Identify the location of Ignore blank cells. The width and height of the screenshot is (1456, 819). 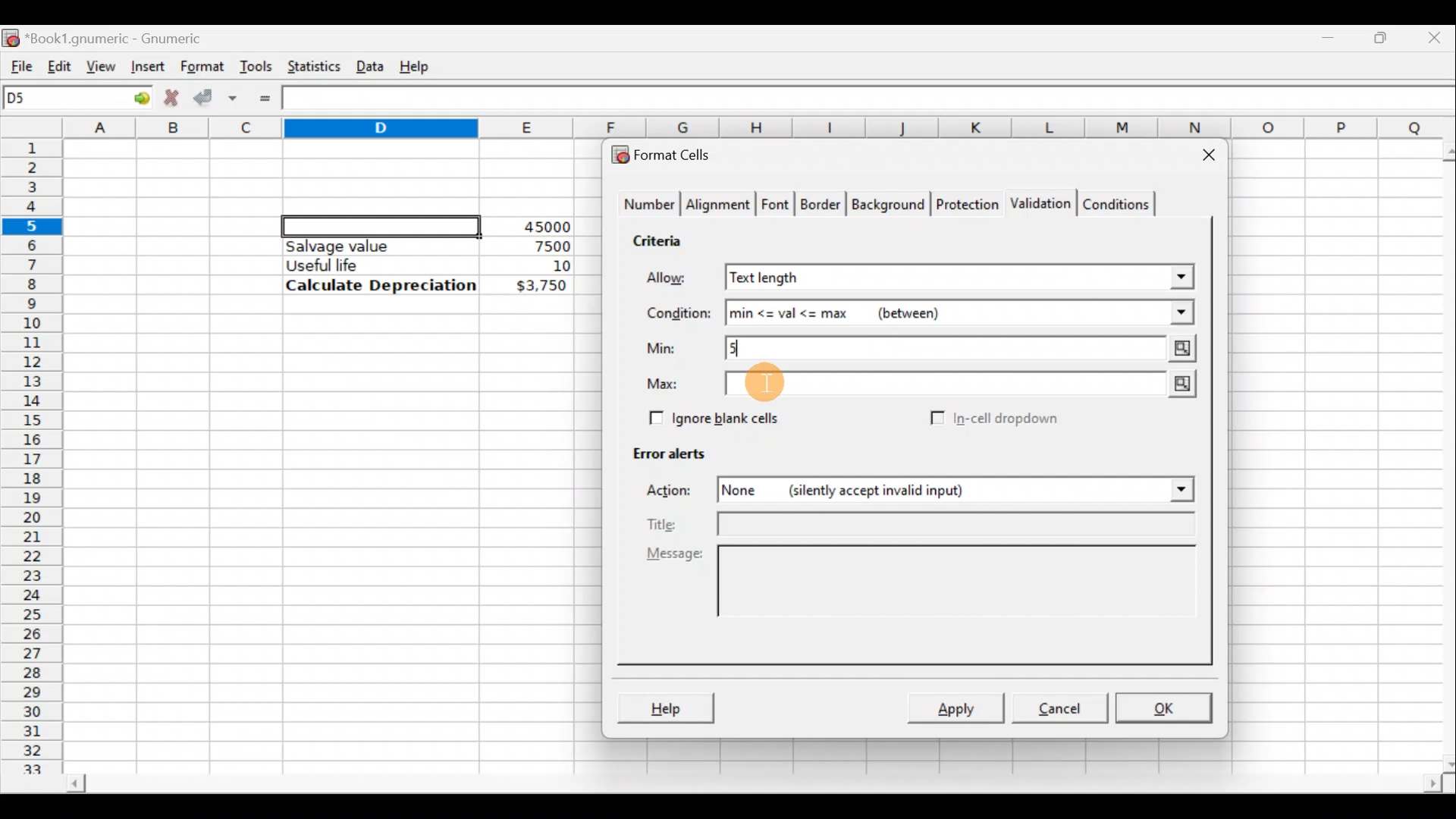
(711, 416).